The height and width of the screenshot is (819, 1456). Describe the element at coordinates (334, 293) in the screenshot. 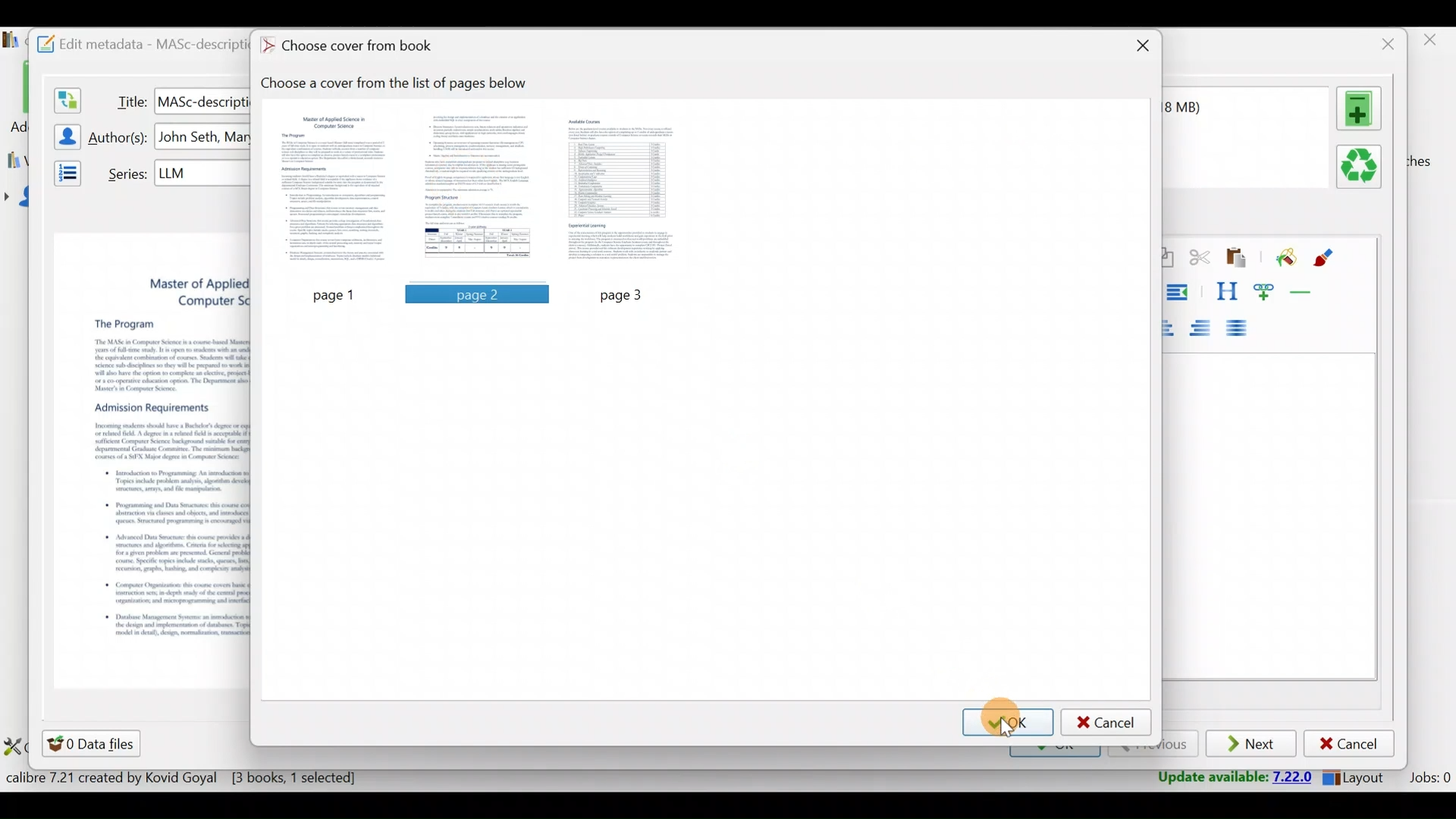

I see `` at that location.